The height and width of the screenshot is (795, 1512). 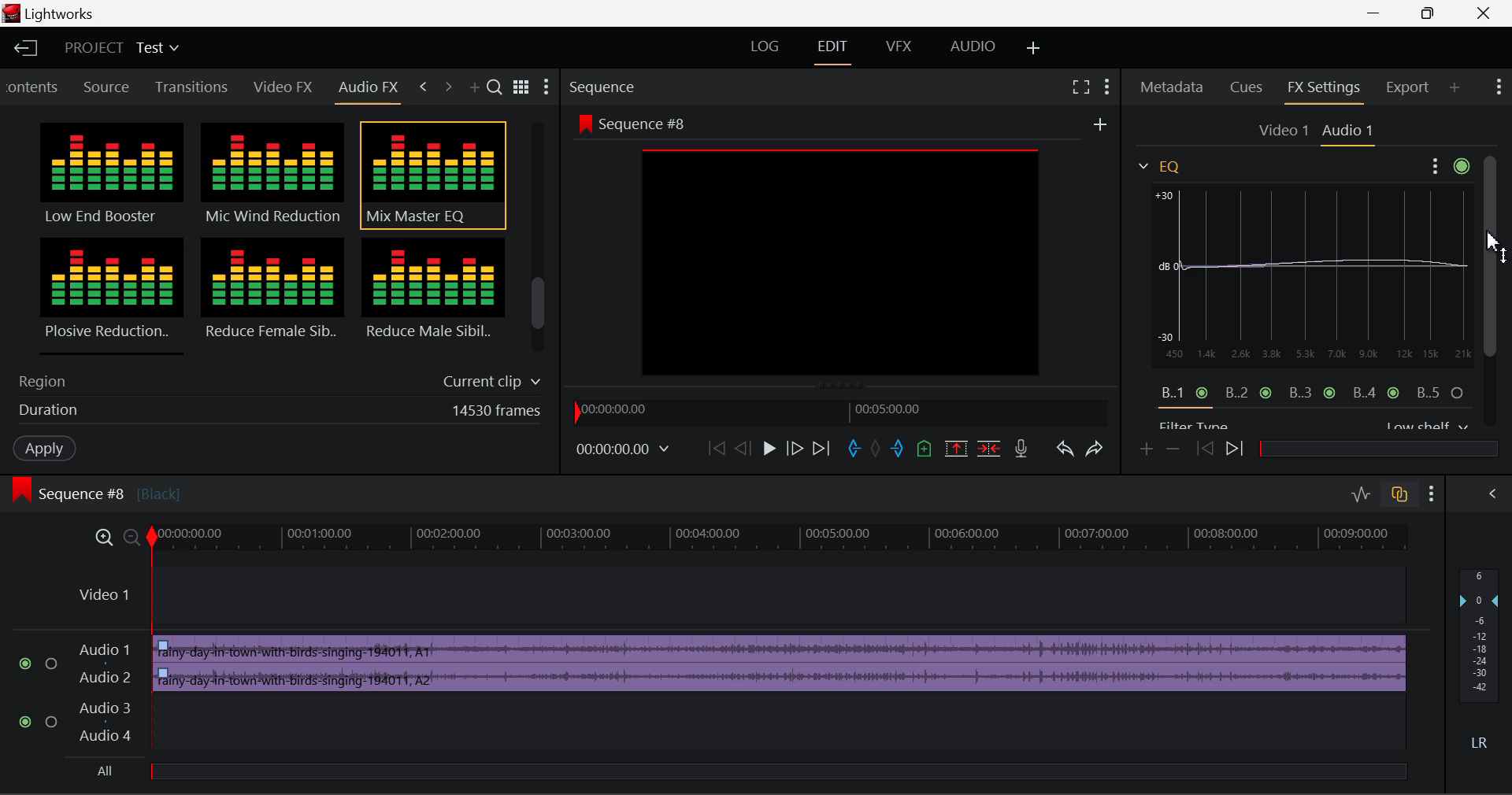 I want to click on Frame Time, so click(x=621, y=449).